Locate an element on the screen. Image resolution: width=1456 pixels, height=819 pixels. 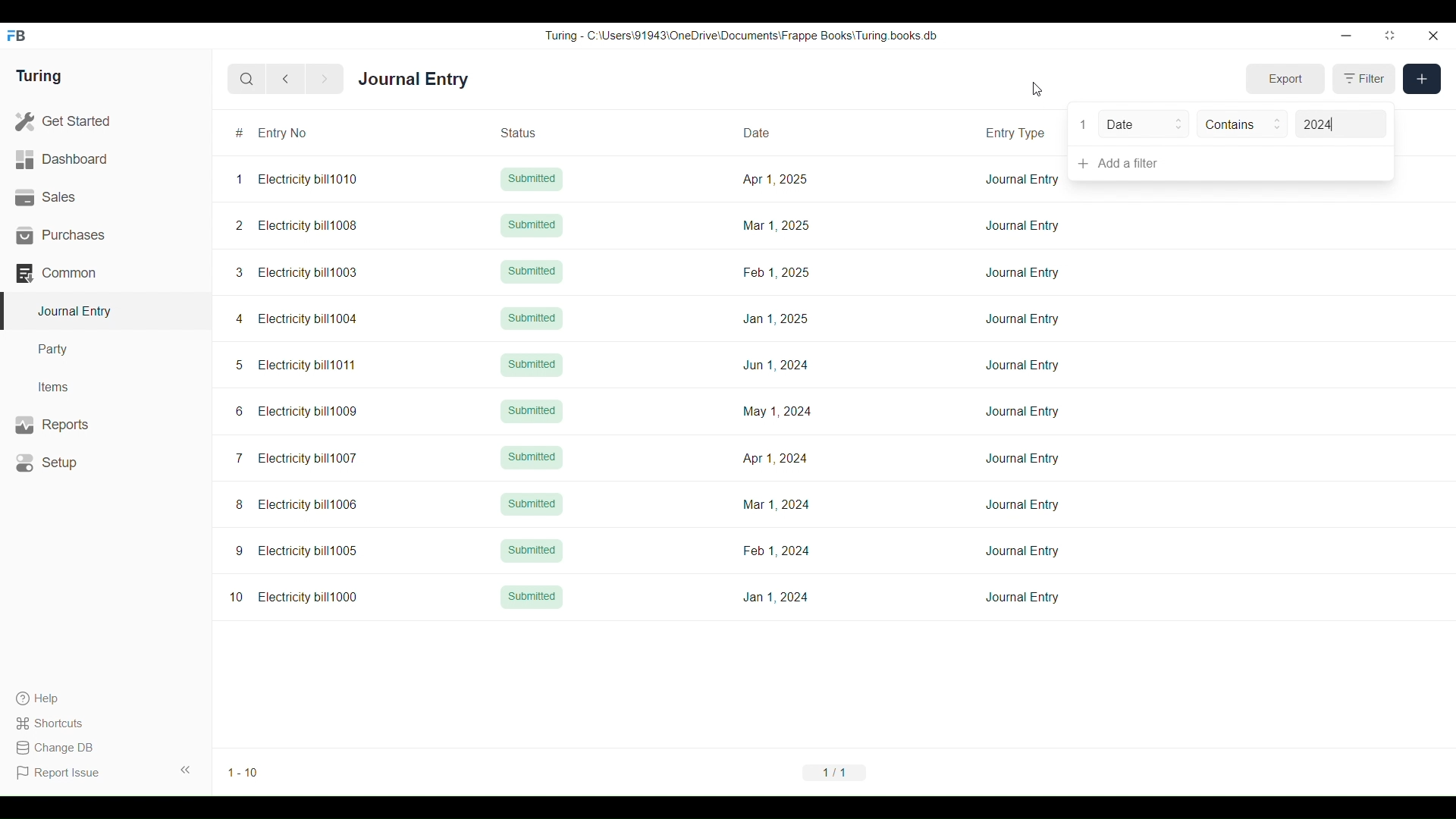
3 Electricity bill1003 is located at coordinates (297, 272).